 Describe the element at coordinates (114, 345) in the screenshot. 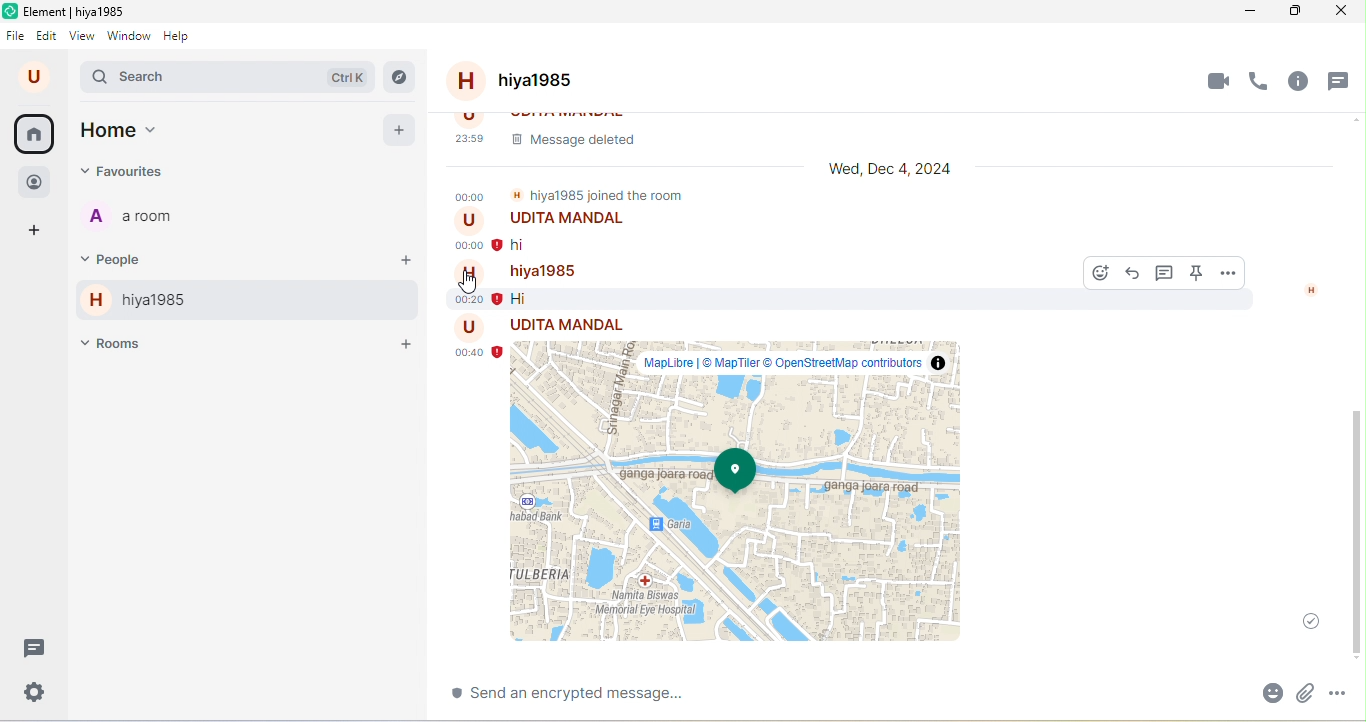

I see `rooms` at that location.